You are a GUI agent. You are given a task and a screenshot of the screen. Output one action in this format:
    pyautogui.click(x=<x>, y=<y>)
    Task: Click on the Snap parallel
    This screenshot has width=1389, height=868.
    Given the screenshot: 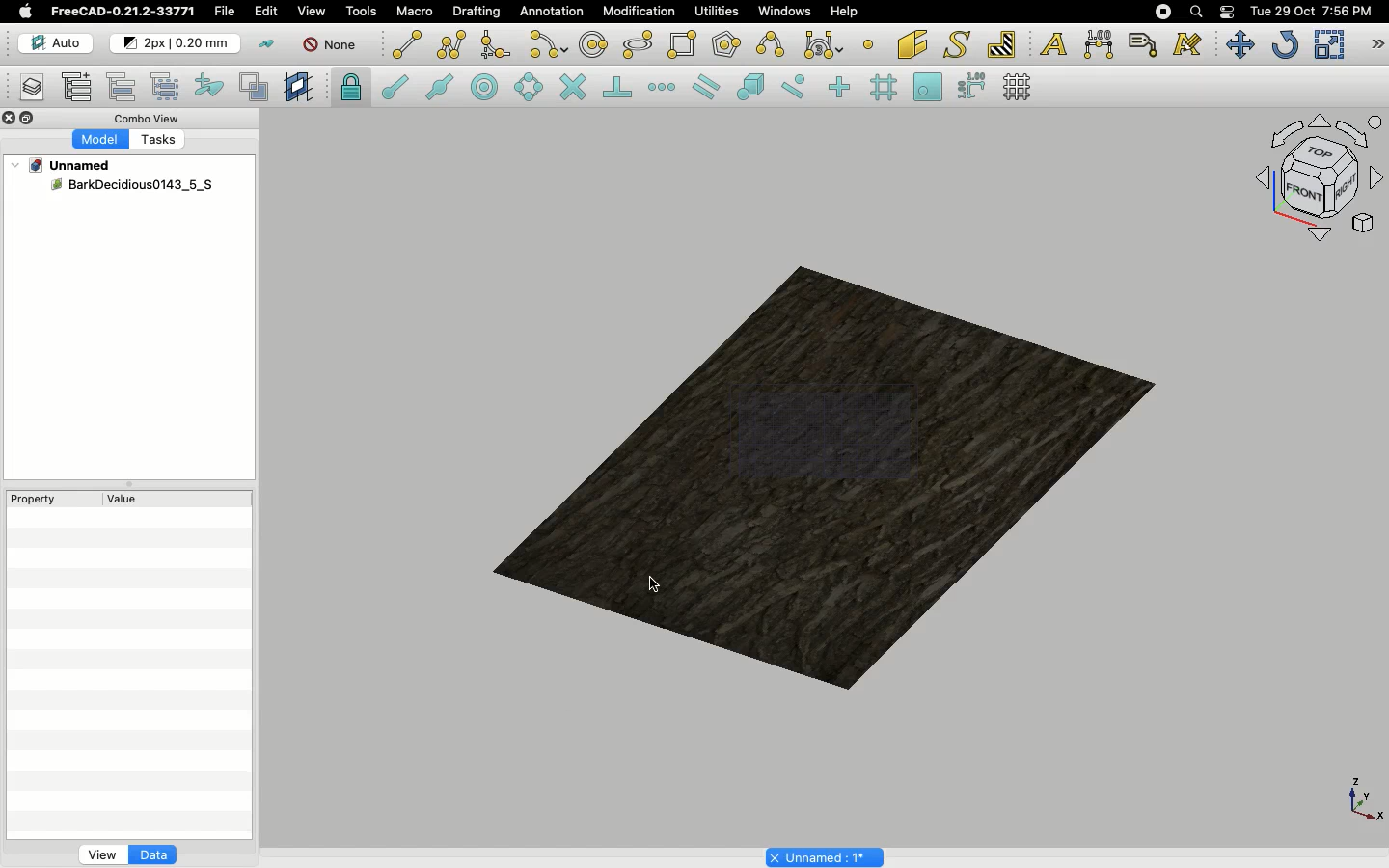 What is the action you would take?
    pyautogui.click(x=706, y=87)
    